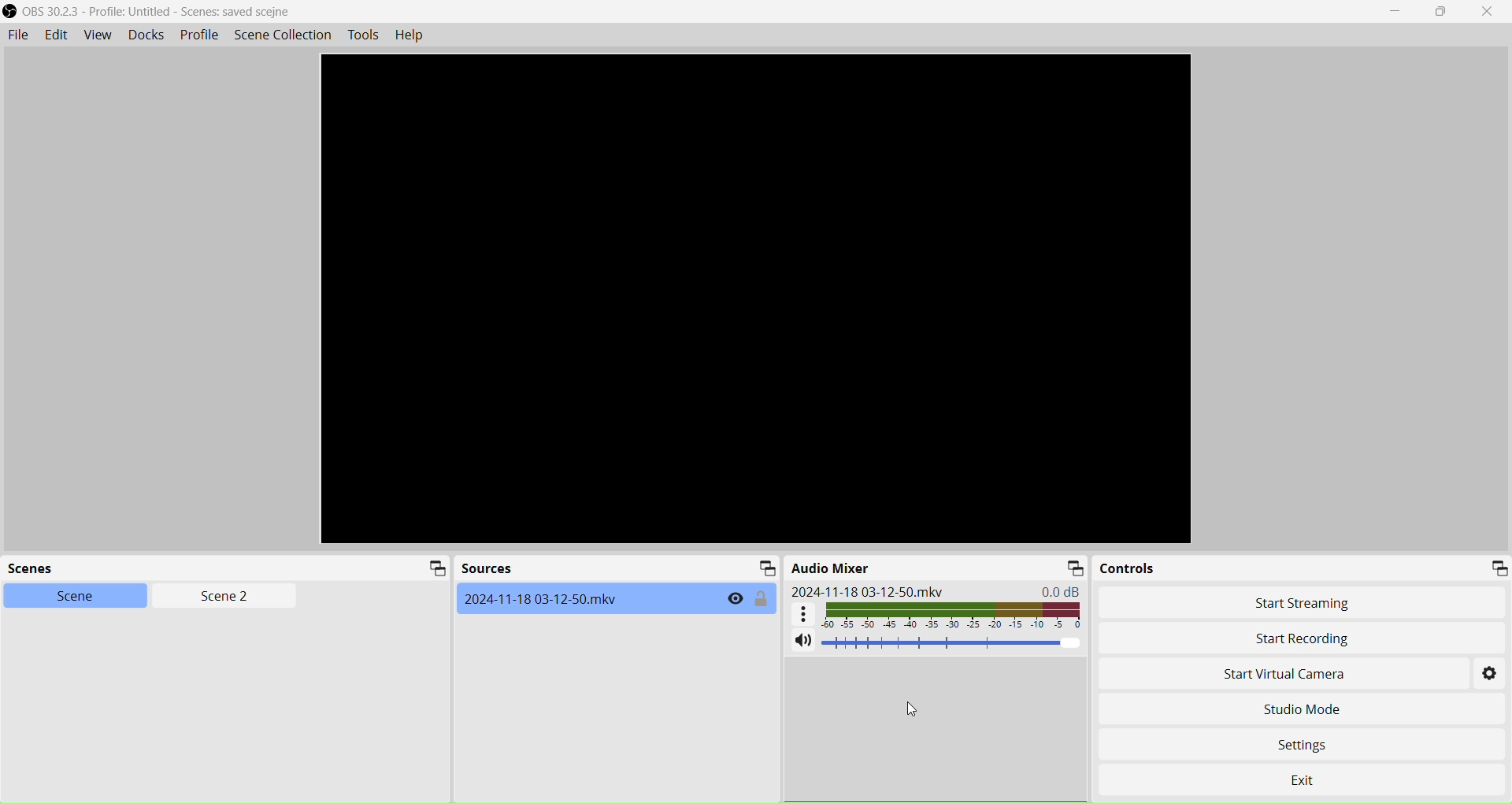 The width and height of the screenshot is (1512, 803). I want to click on Start Recording, so click(1247, 638).